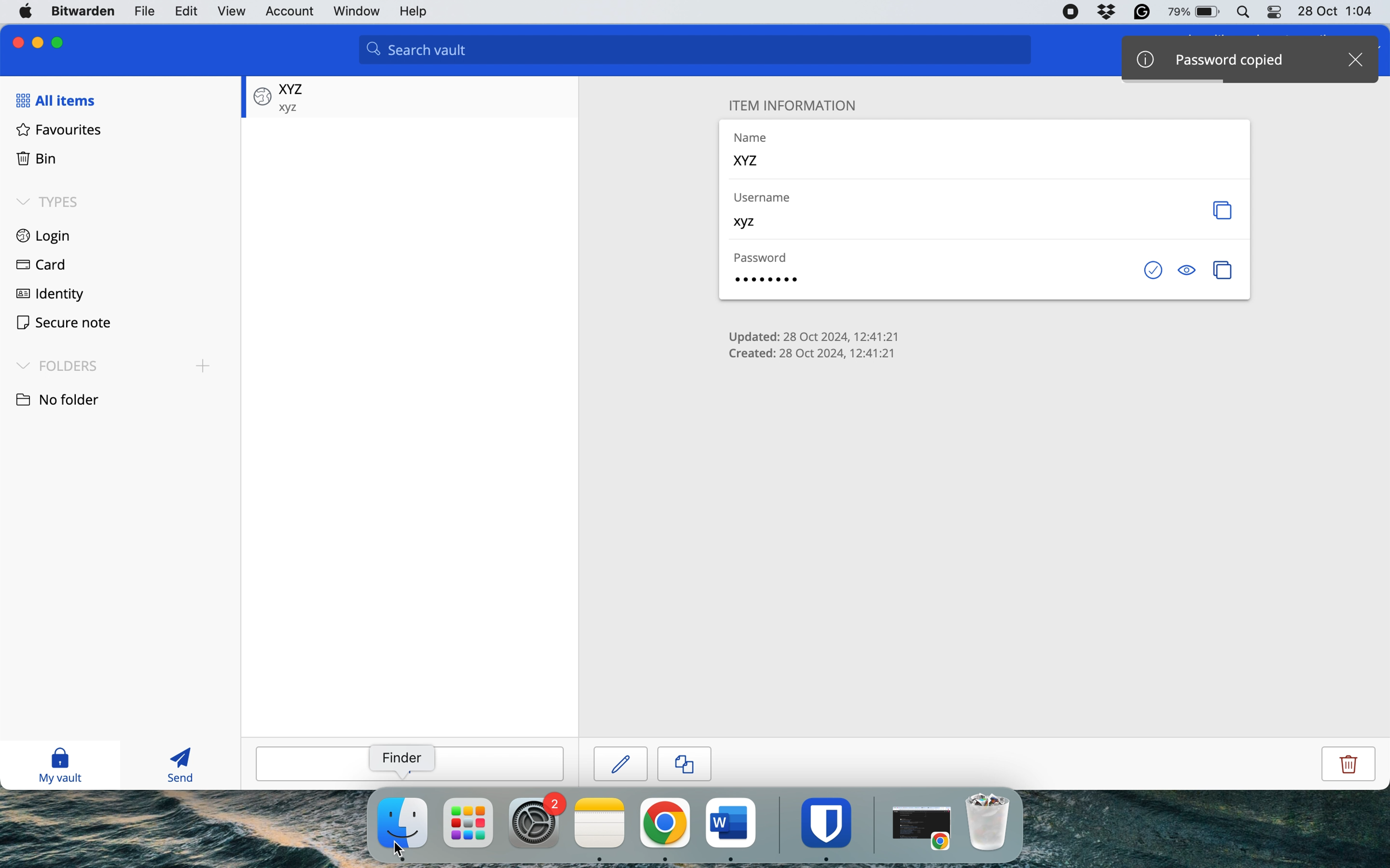  Describe the element at coordinates (291, 10) in the screenshot. I see `account` at that location.